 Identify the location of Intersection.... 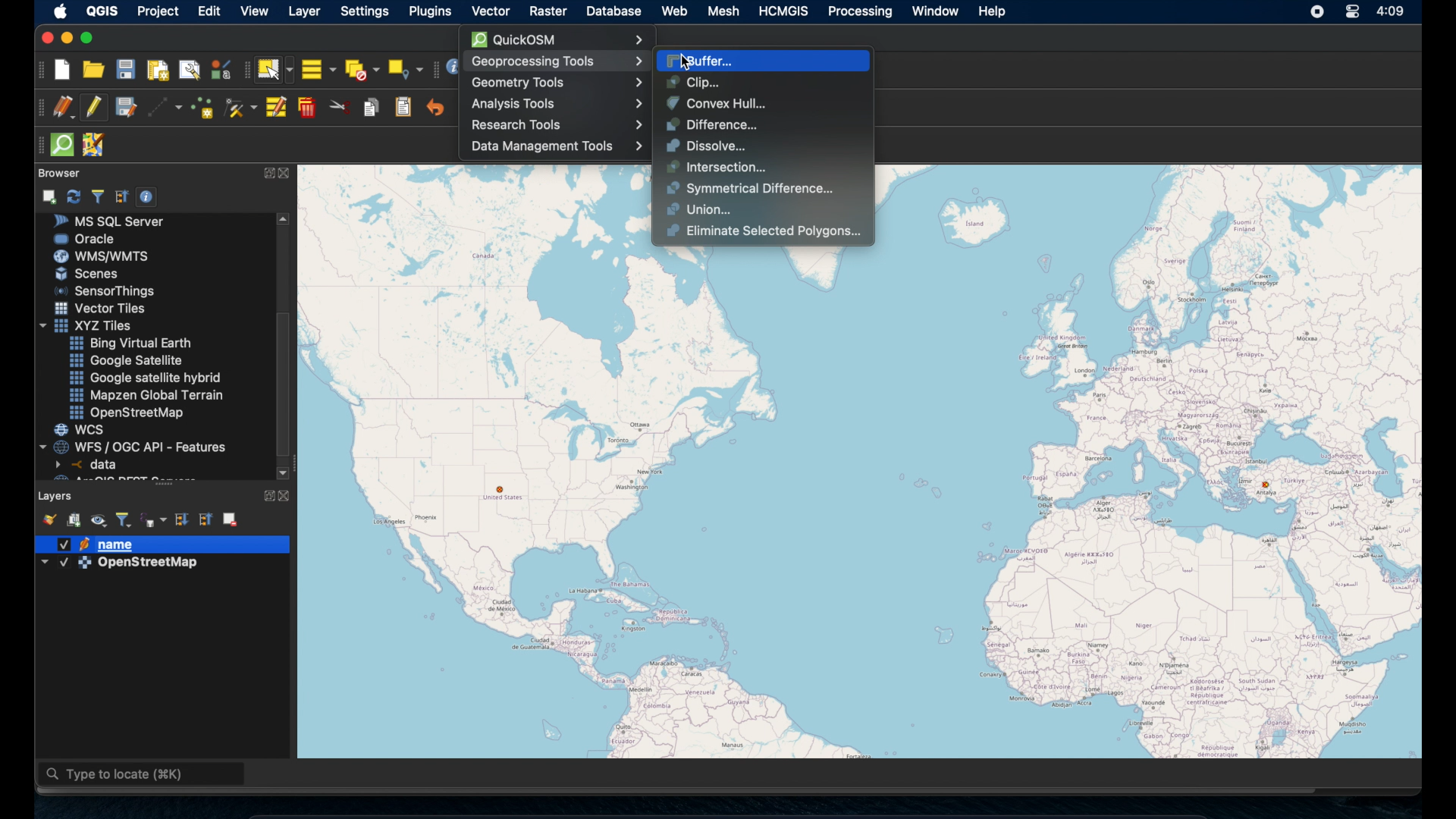
(712, 167).